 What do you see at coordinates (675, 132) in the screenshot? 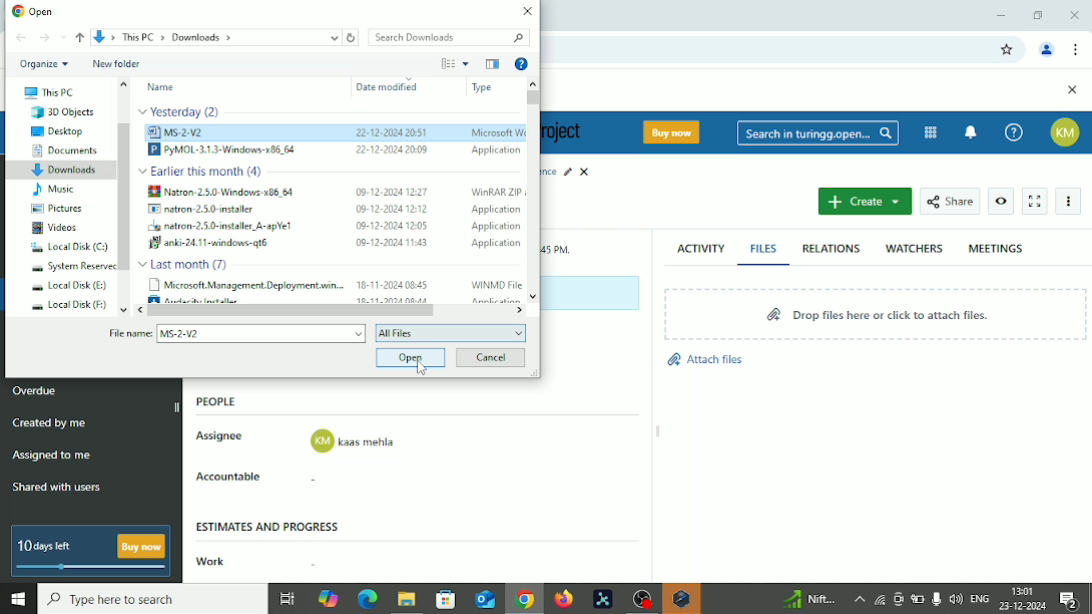
I see `Buy now` at bounding box center [675, 132].